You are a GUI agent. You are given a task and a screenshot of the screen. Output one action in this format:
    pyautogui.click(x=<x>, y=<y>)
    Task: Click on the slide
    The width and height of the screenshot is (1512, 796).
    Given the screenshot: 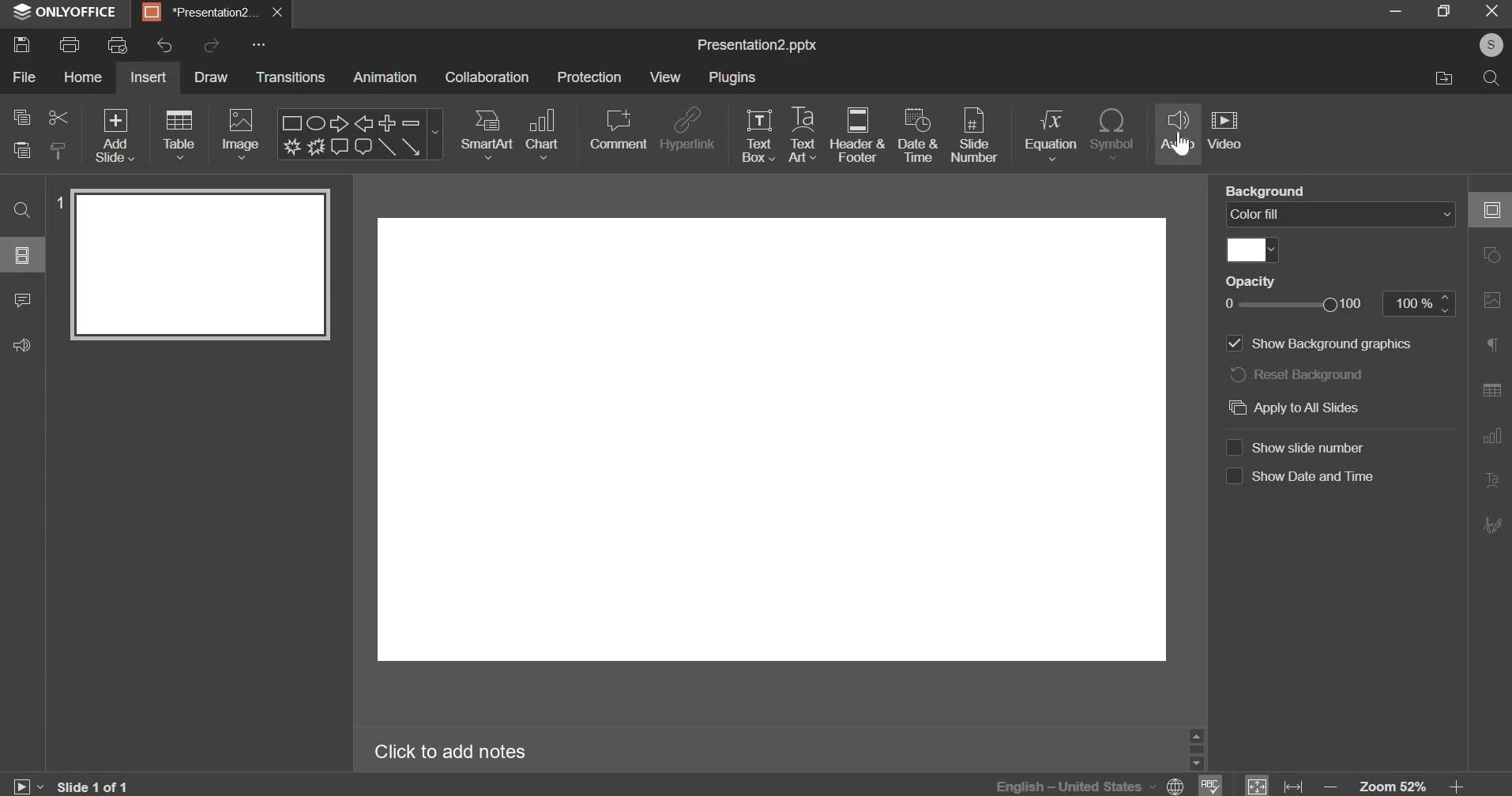 What is the action you would take?
    pyautogui.click(x=23, y=256)
    